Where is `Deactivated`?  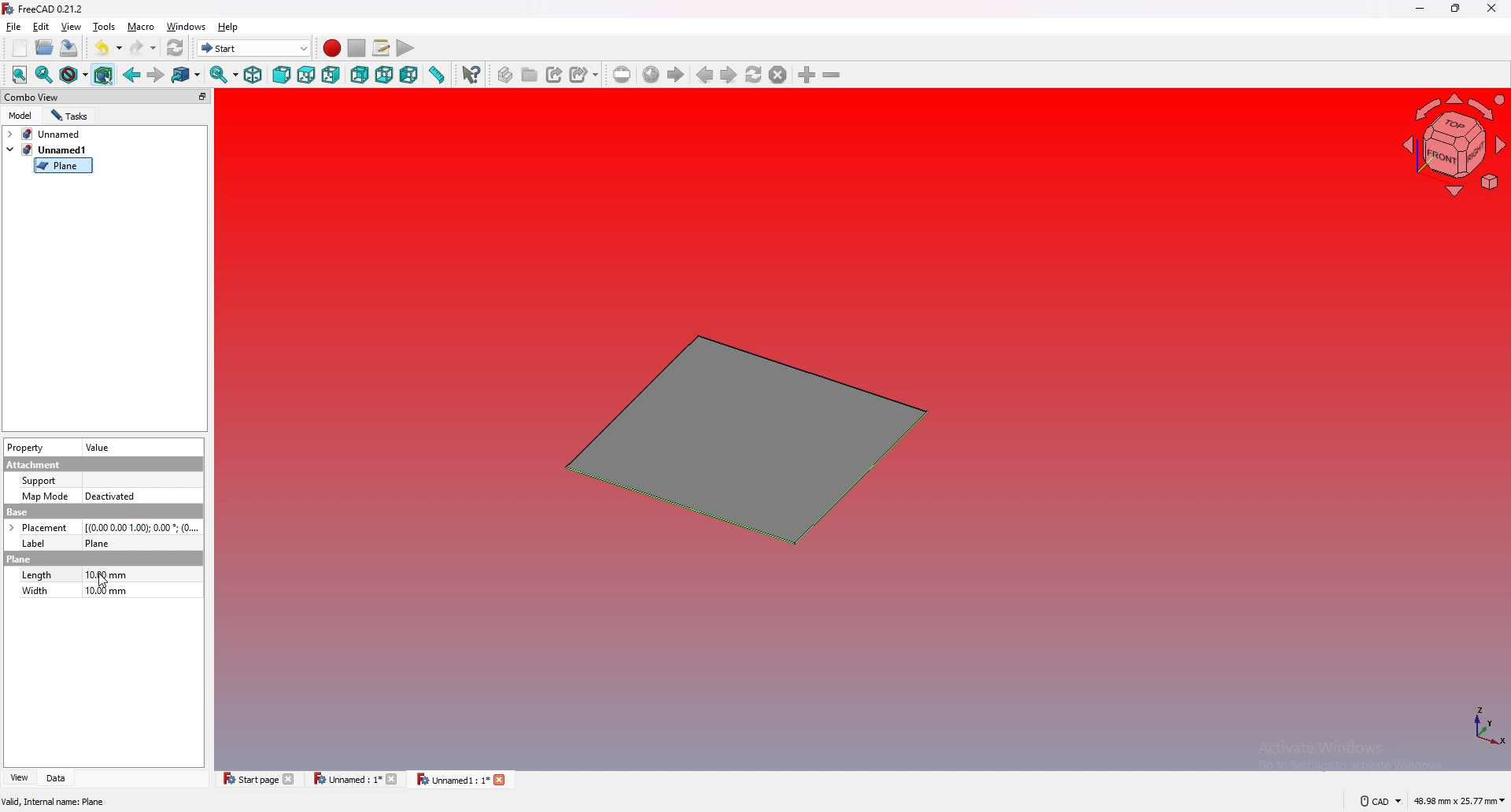 Deactivated is located at coordinates (113, 496).